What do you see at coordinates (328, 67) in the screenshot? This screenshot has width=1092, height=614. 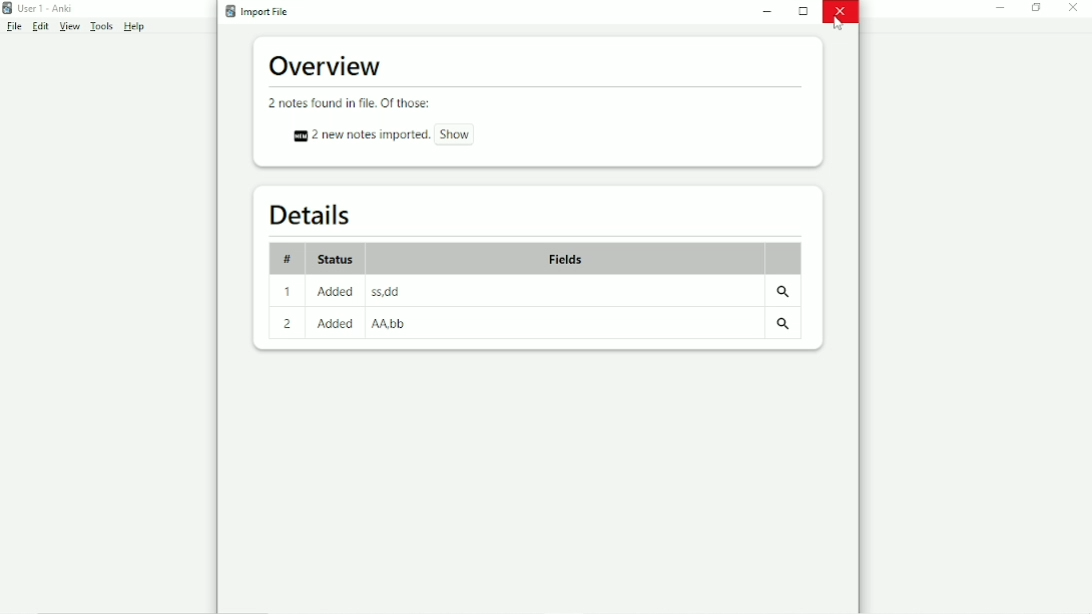 I see `Overview` at bounding box center [328, 67].